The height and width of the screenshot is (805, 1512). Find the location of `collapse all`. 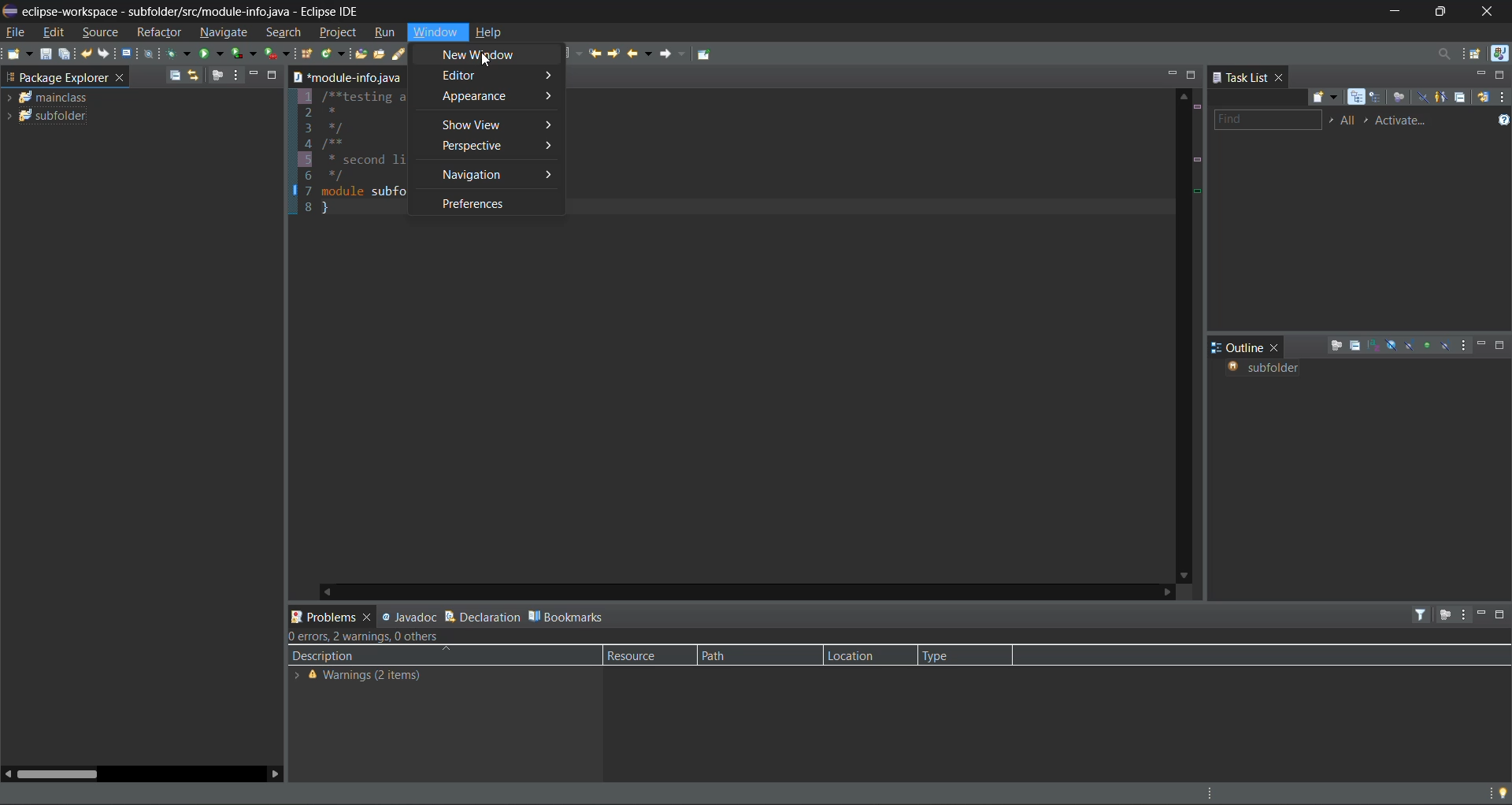

collapse all is located at coordinates (172, 75).